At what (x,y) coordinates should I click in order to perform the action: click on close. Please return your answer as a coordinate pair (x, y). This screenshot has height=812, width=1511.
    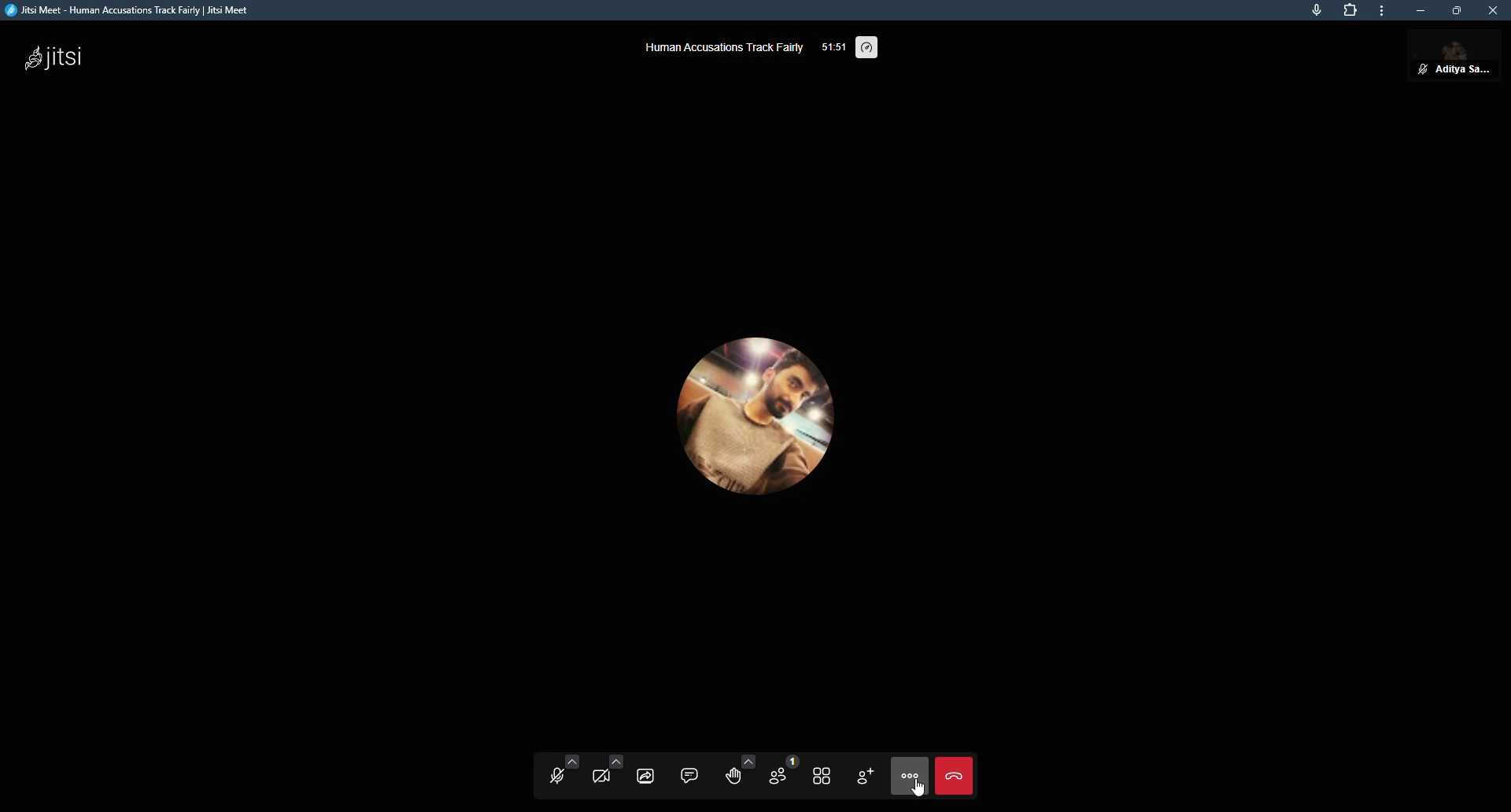
    Looking at the image, I should click on (1494, 10).